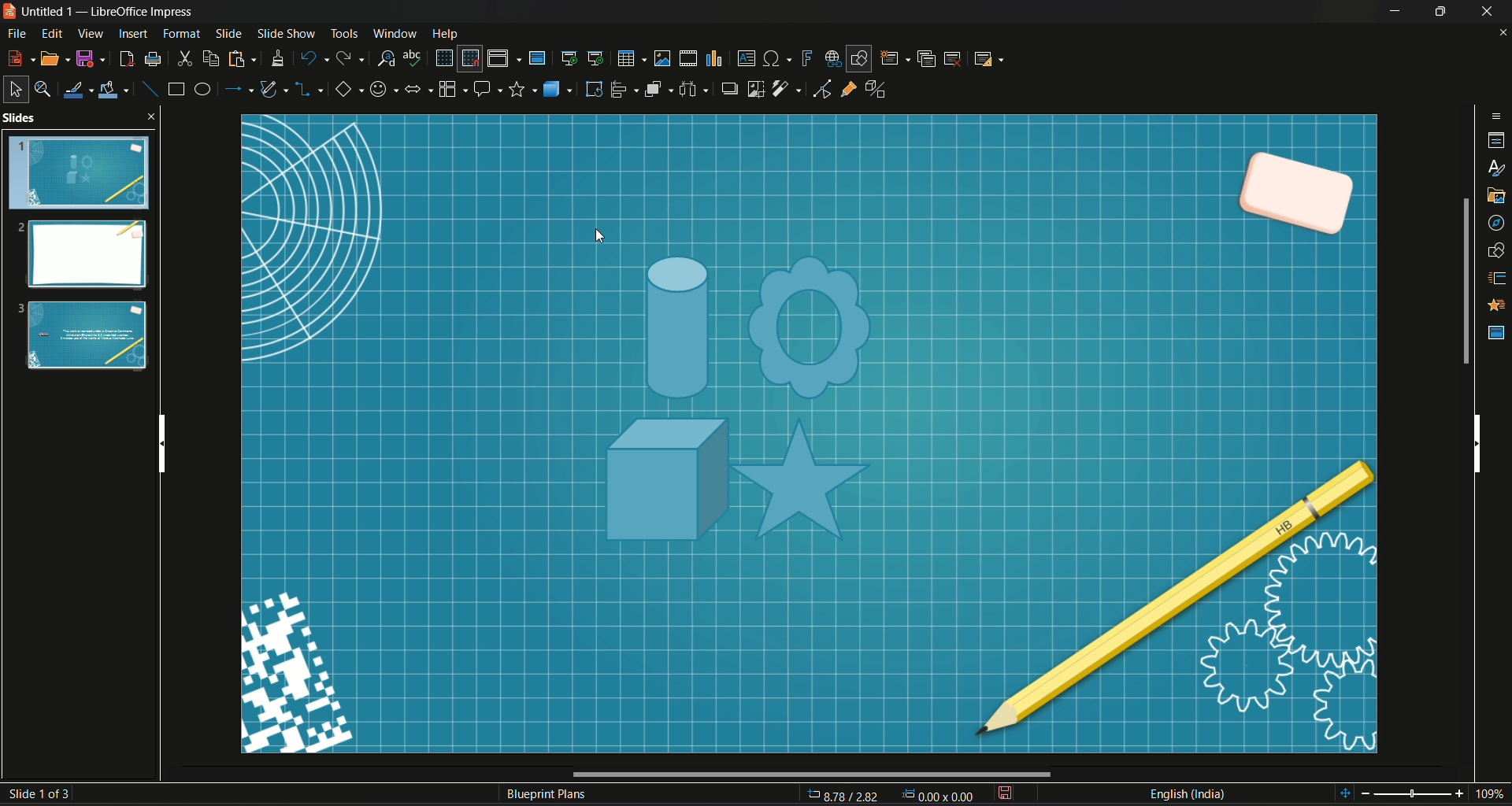 The width and height of the screenshot is (1512, 806). I want to click on copy , so click(211, 59).